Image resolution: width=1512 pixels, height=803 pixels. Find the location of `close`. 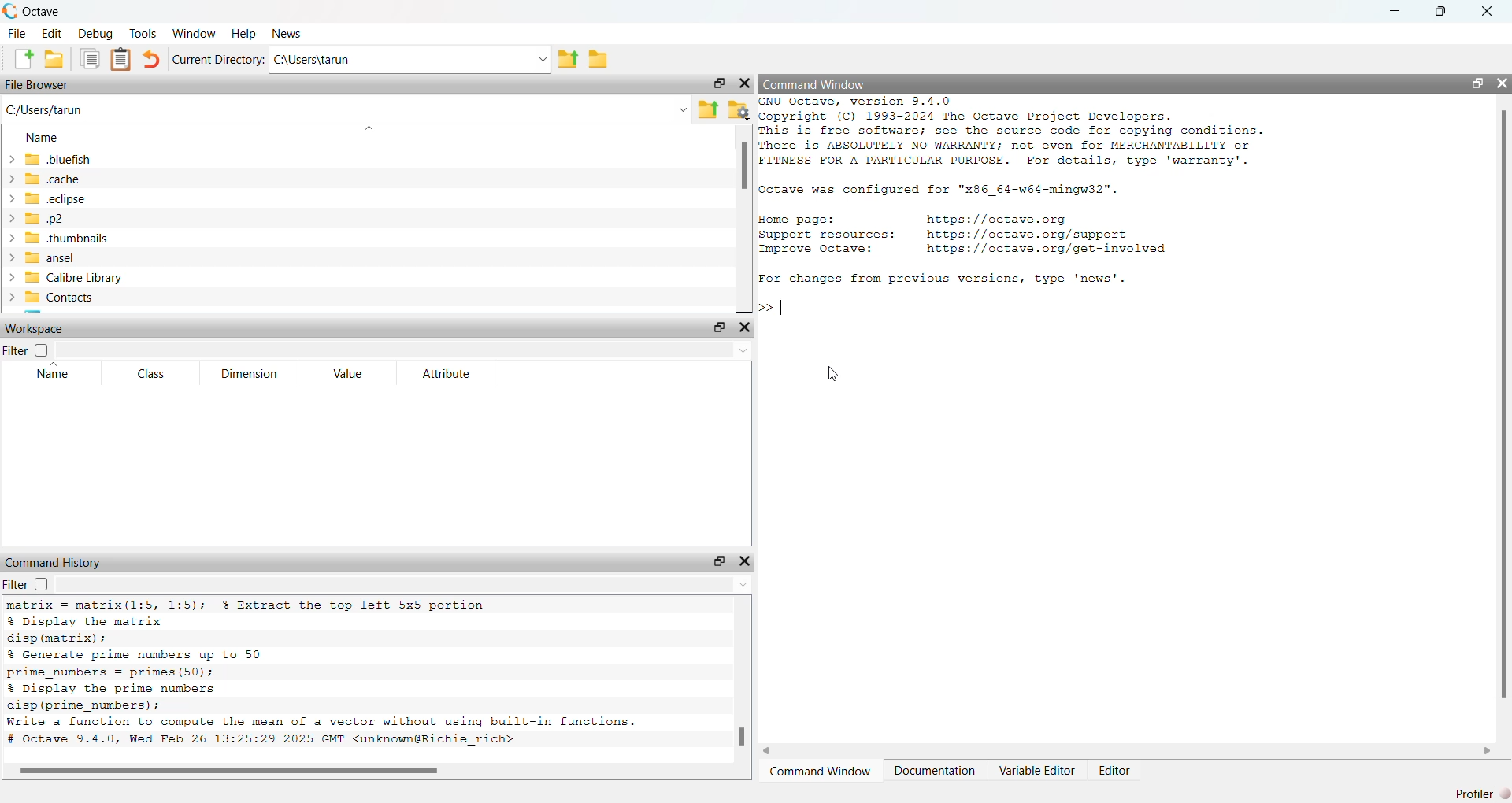

close is located at coordinates (1488, 9).